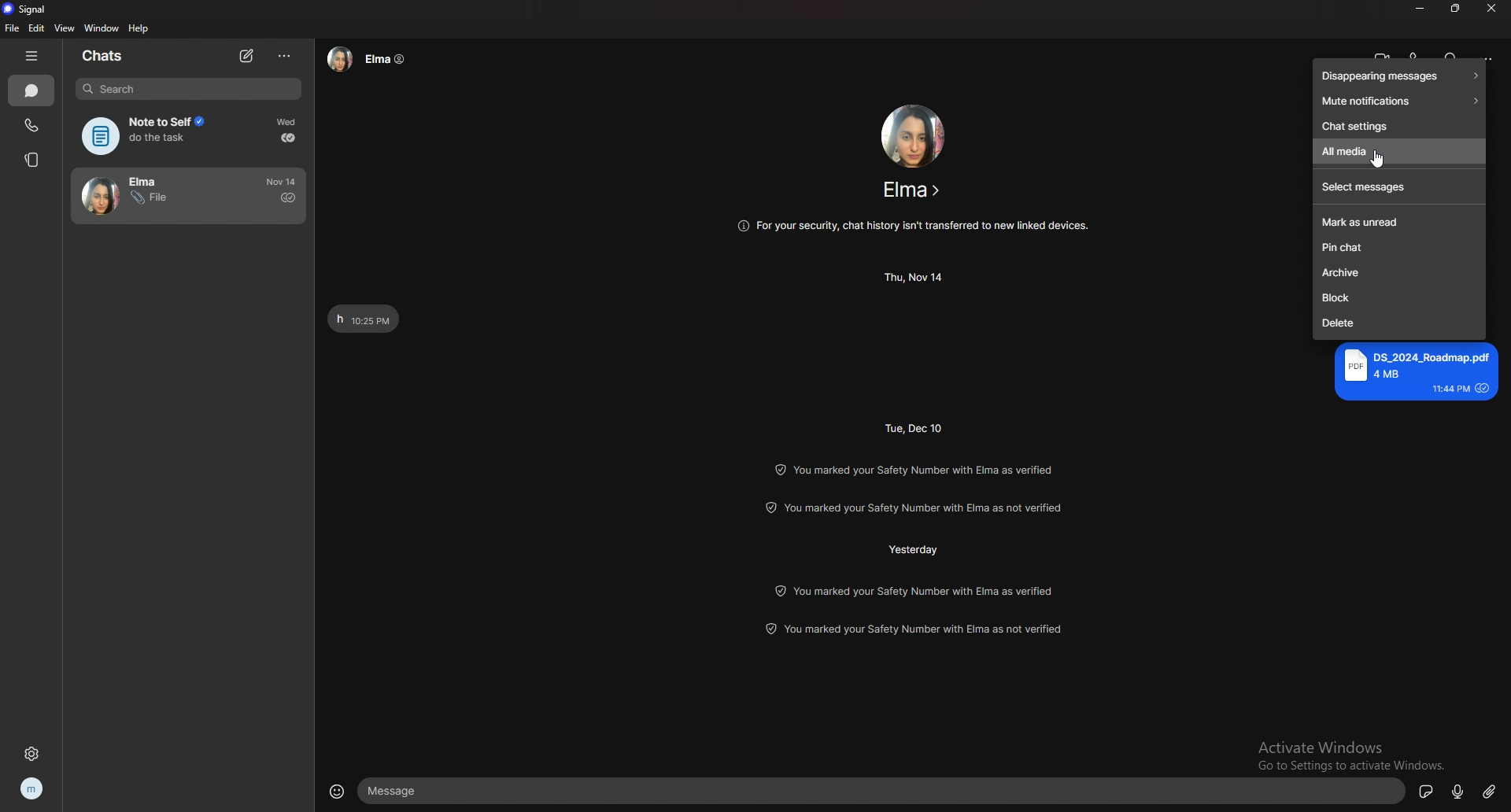 The width and height of the screenshot is (1511, 812). What do you see at coordinates (105, 57) in the screenshot?
I see `chats` at bounding box center [105, 57].